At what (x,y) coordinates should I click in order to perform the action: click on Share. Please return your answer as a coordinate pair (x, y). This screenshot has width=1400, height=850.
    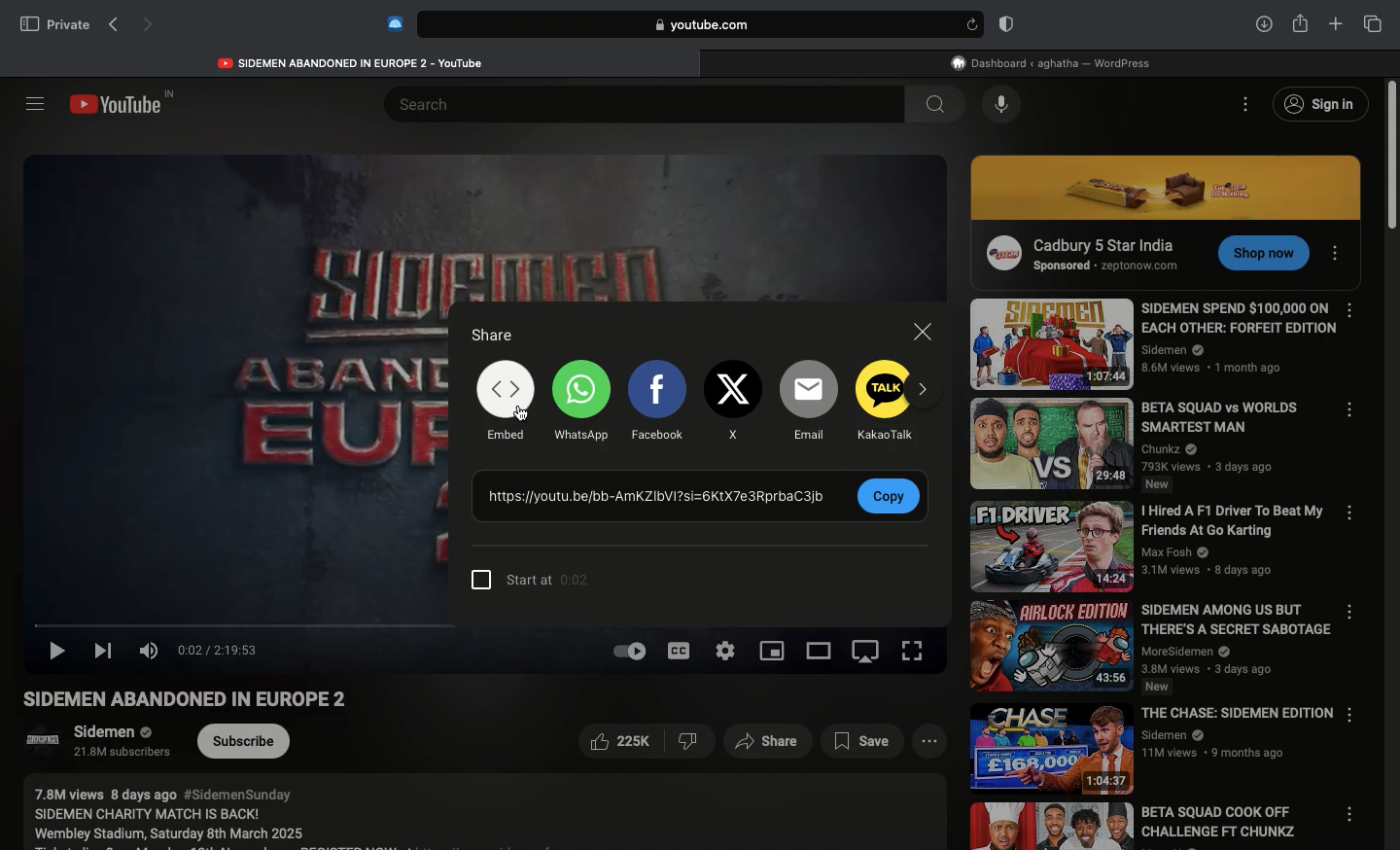
    Looking at the image, I should click on (492, 333).